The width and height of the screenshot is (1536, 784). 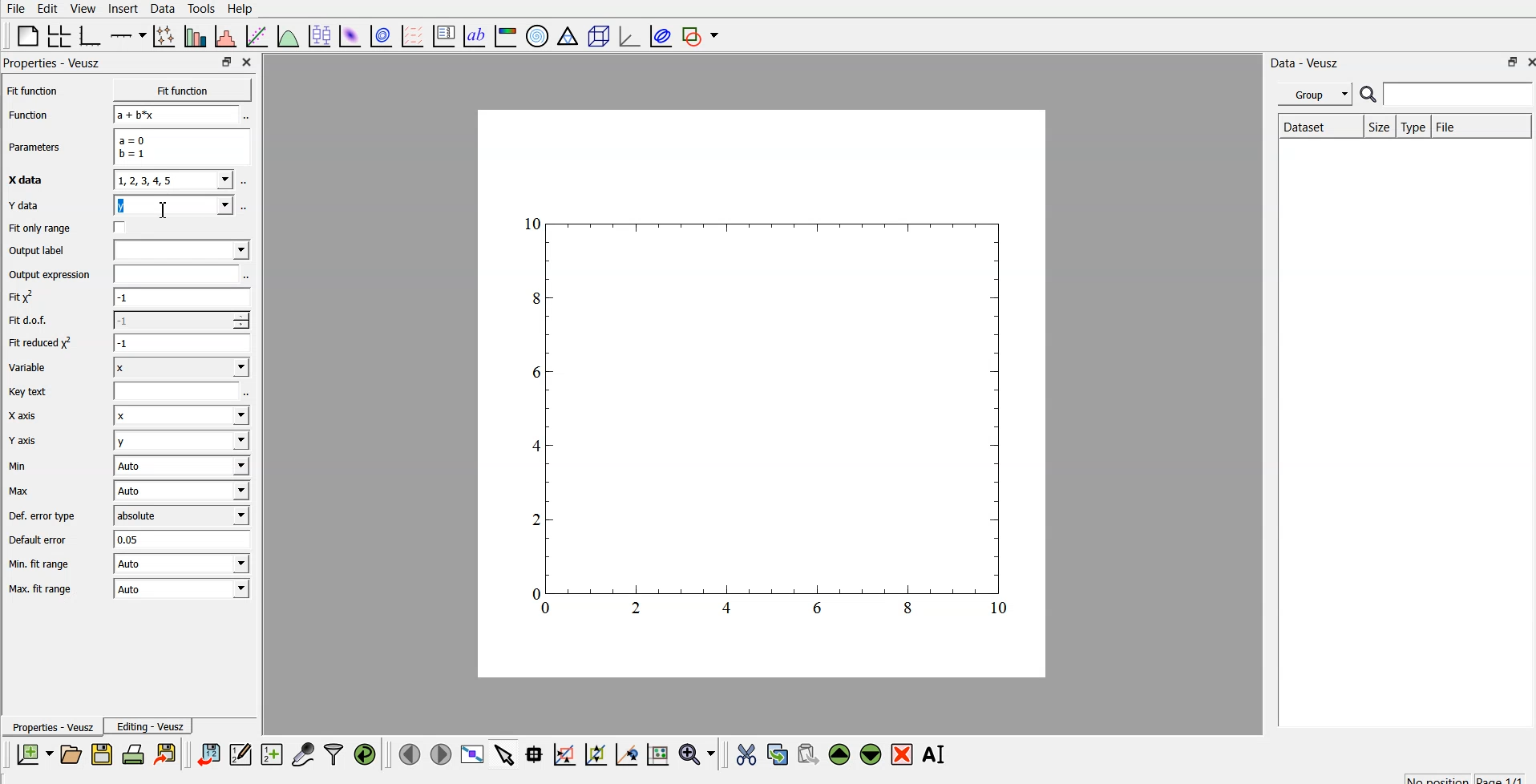 What do you see at coordinates (39, 464) in the screenshot?
I see `Min` at bounding box center [39, 464].